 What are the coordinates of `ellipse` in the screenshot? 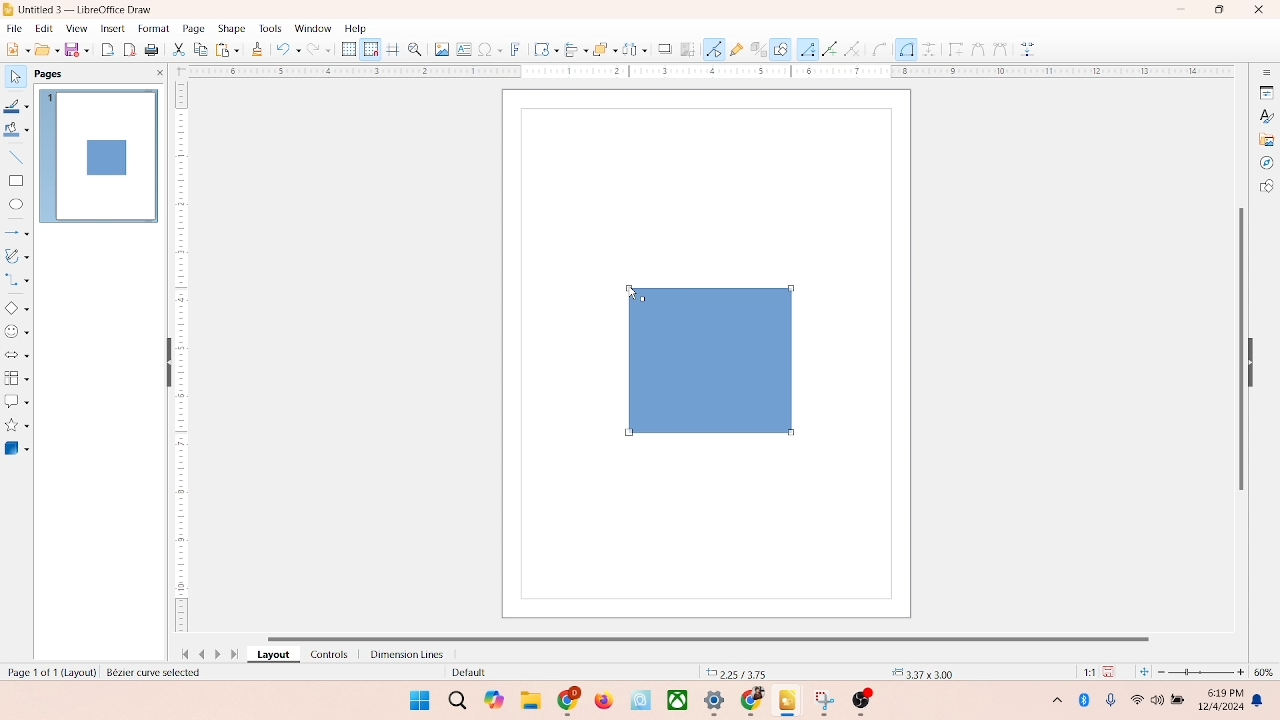 It's located at (16, 205).